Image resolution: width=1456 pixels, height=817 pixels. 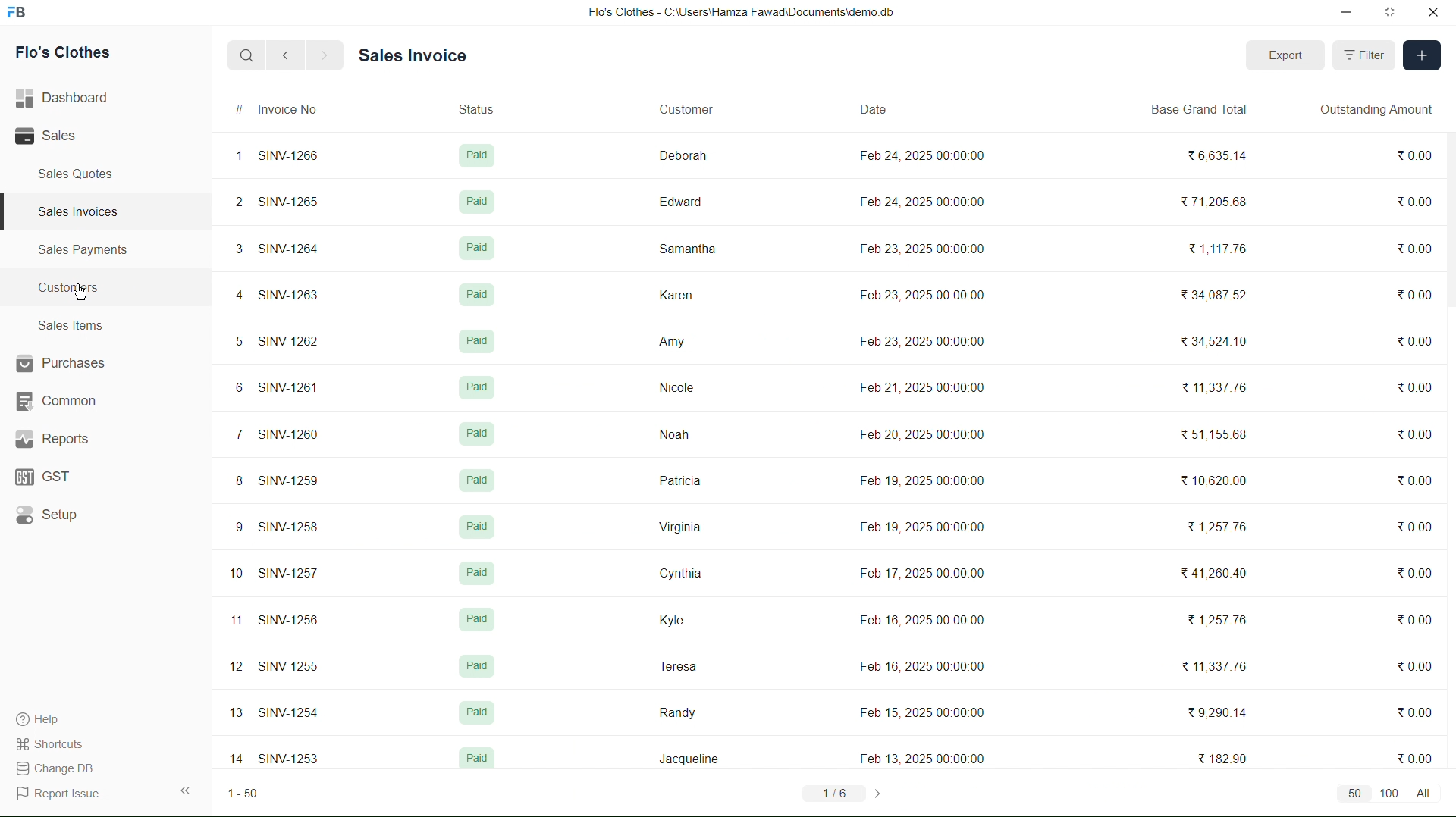 I want to click on Cynthia, so click(x=679, y=572).